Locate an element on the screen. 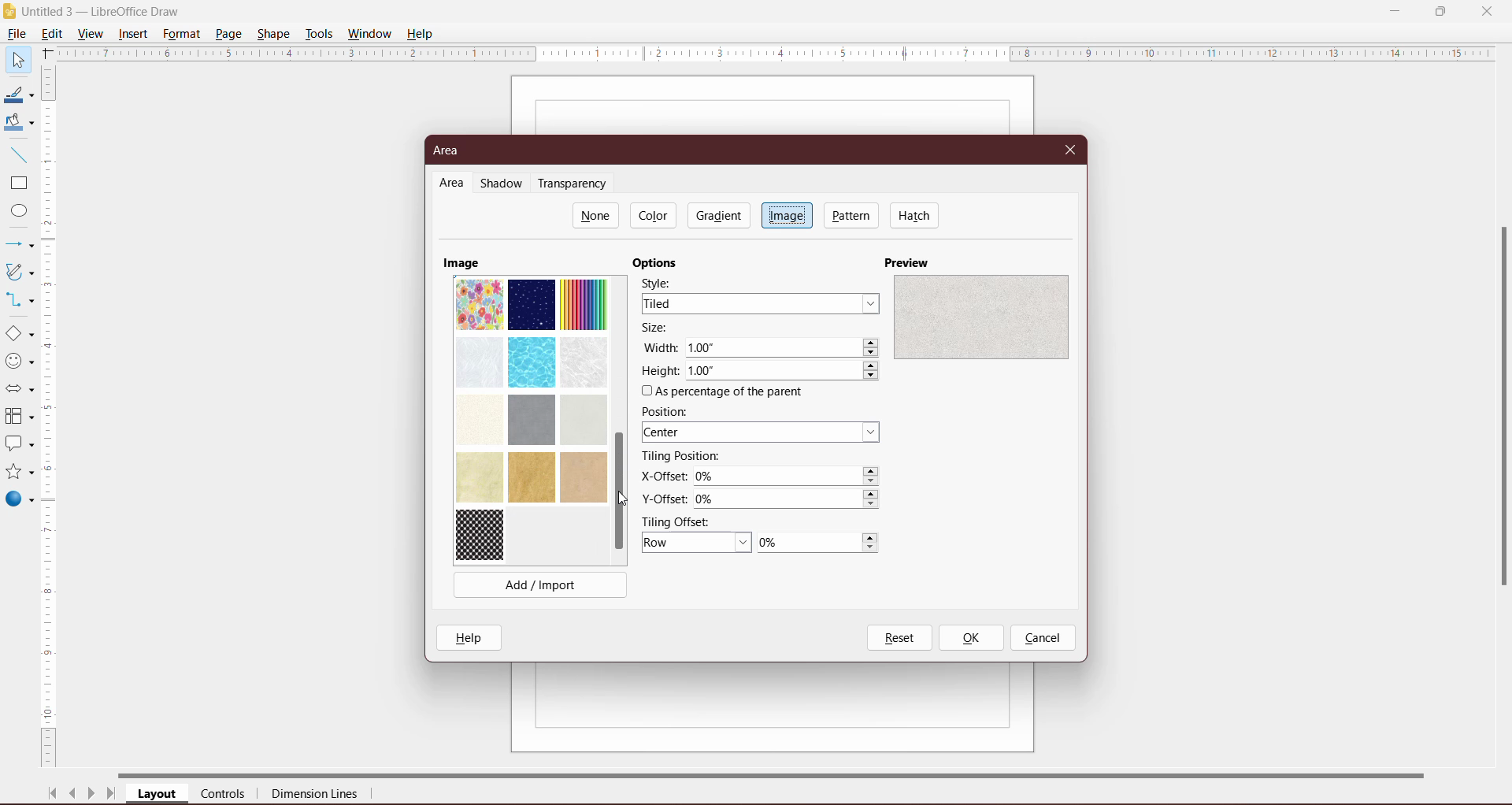 This screenshot has width=1512, height=805. Select the position is located at coordinates (763, 433).